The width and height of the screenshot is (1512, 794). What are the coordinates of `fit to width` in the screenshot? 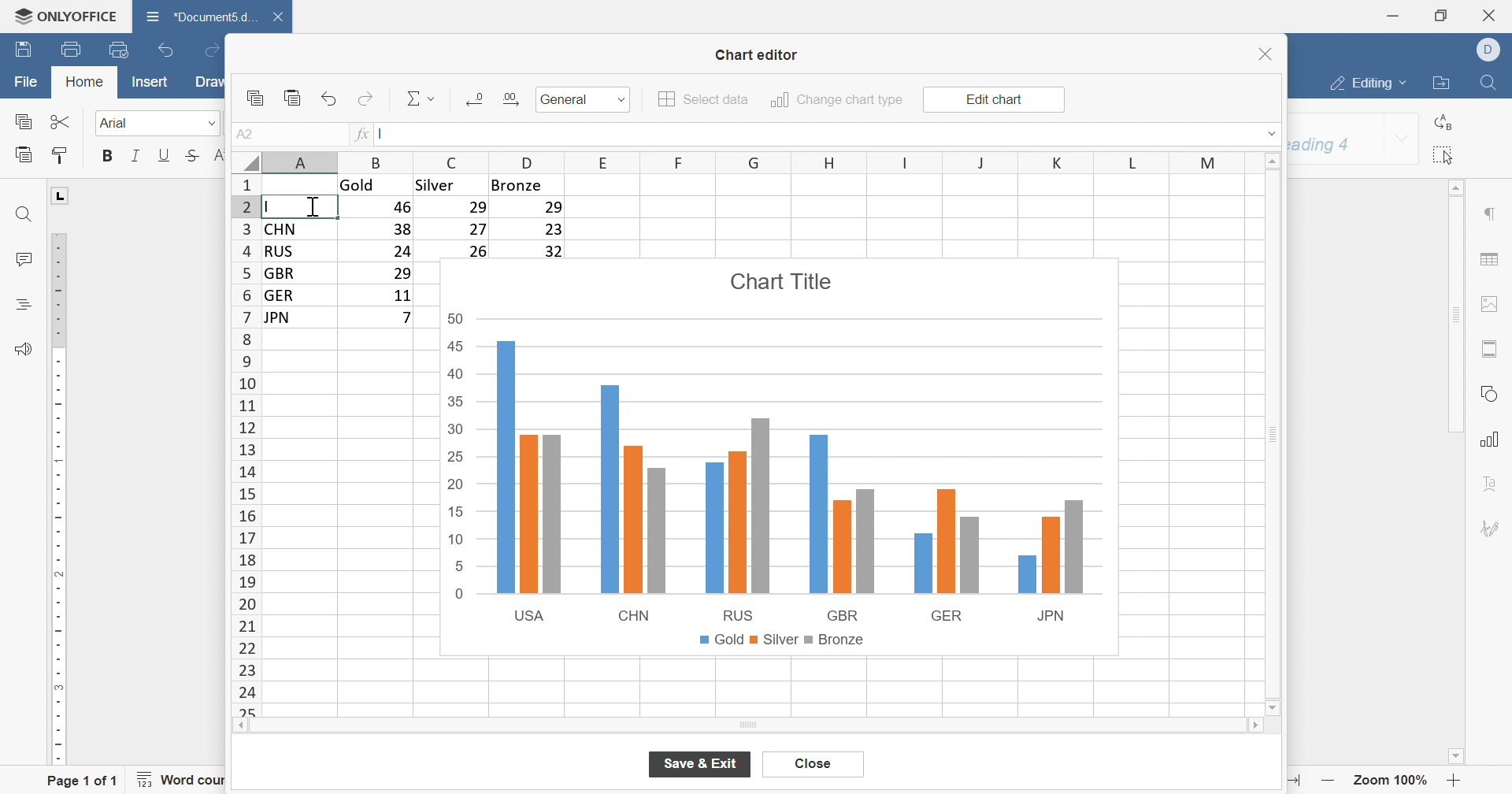 It's located at (1293, 781).